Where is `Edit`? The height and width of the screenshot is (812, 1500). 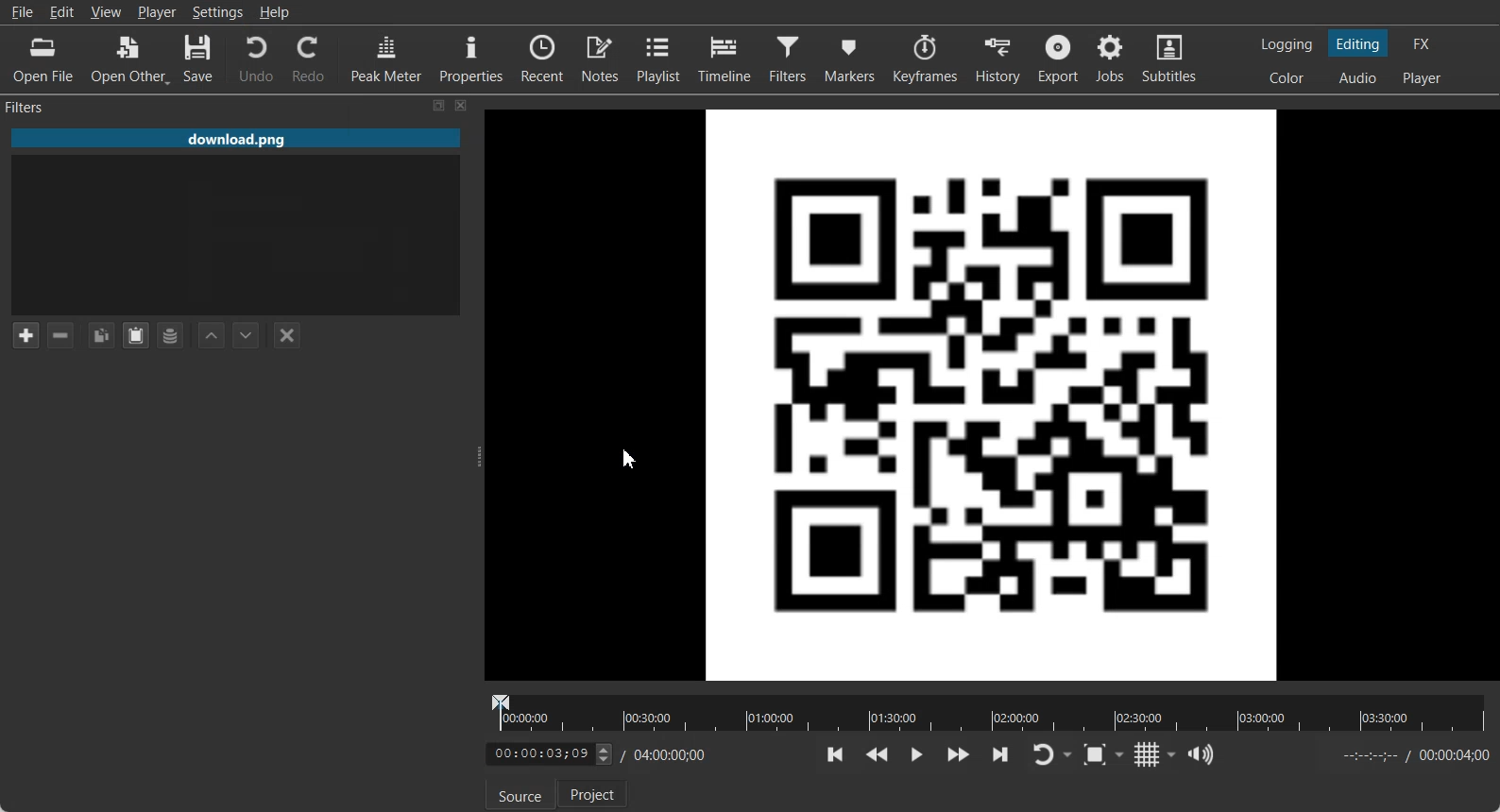 Edit is located at coordinates (63, 11).